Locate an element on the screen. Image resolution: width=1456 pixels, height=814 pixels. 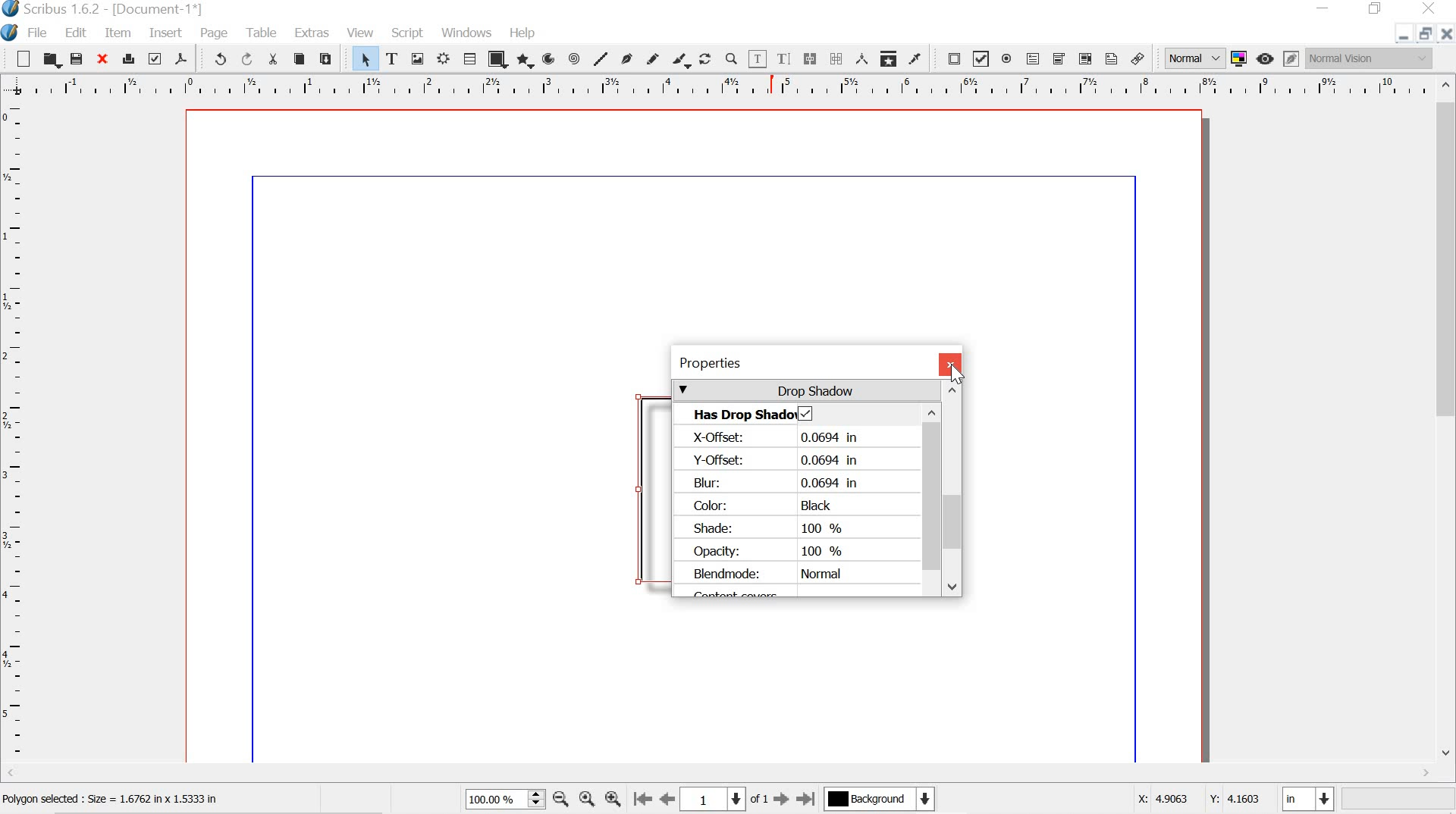
bezier curve is located at coordinates (626, 58).